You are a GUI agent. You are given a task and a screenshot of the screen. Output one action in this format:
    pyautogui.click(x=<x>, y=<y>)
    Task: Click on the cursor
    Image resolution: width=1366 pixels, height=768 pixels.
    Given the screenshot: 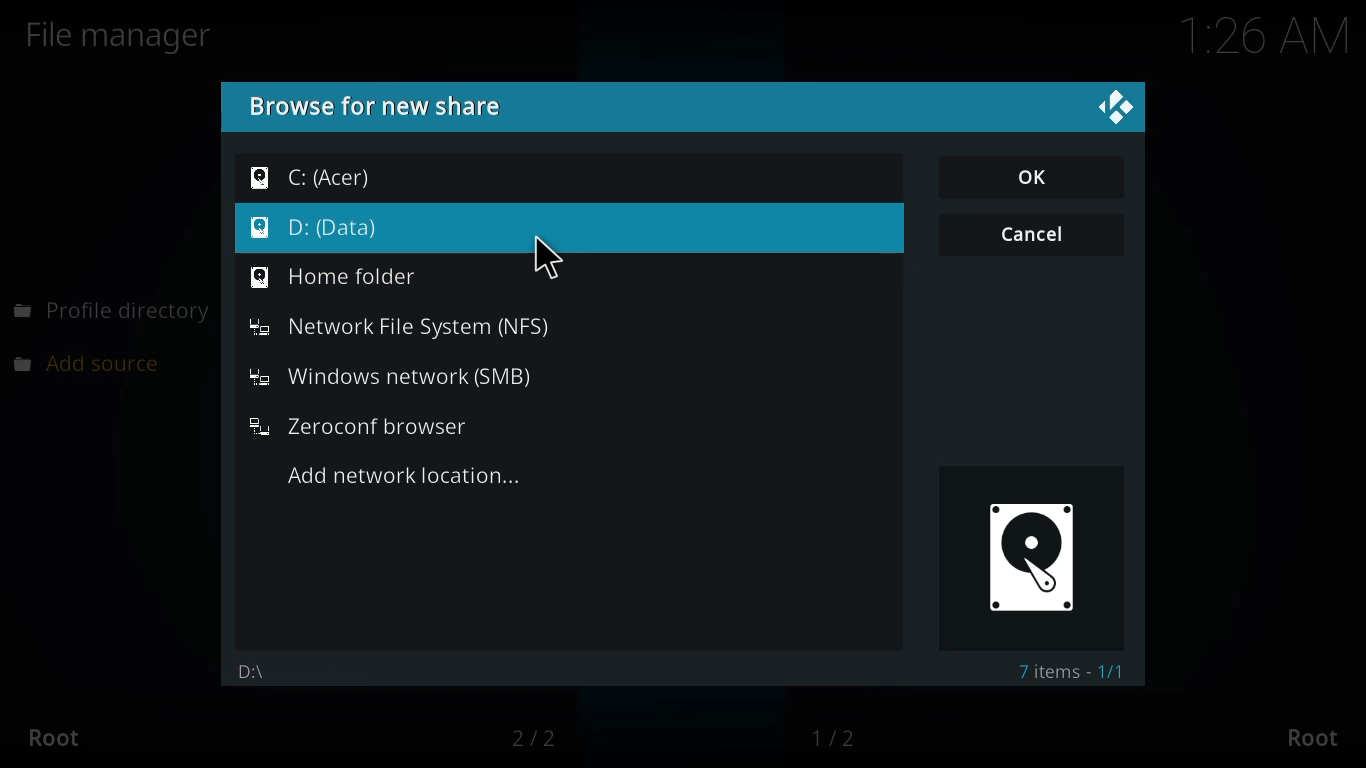 What is the action you would take?
    pyautogui.click(x=545, y=258)
    